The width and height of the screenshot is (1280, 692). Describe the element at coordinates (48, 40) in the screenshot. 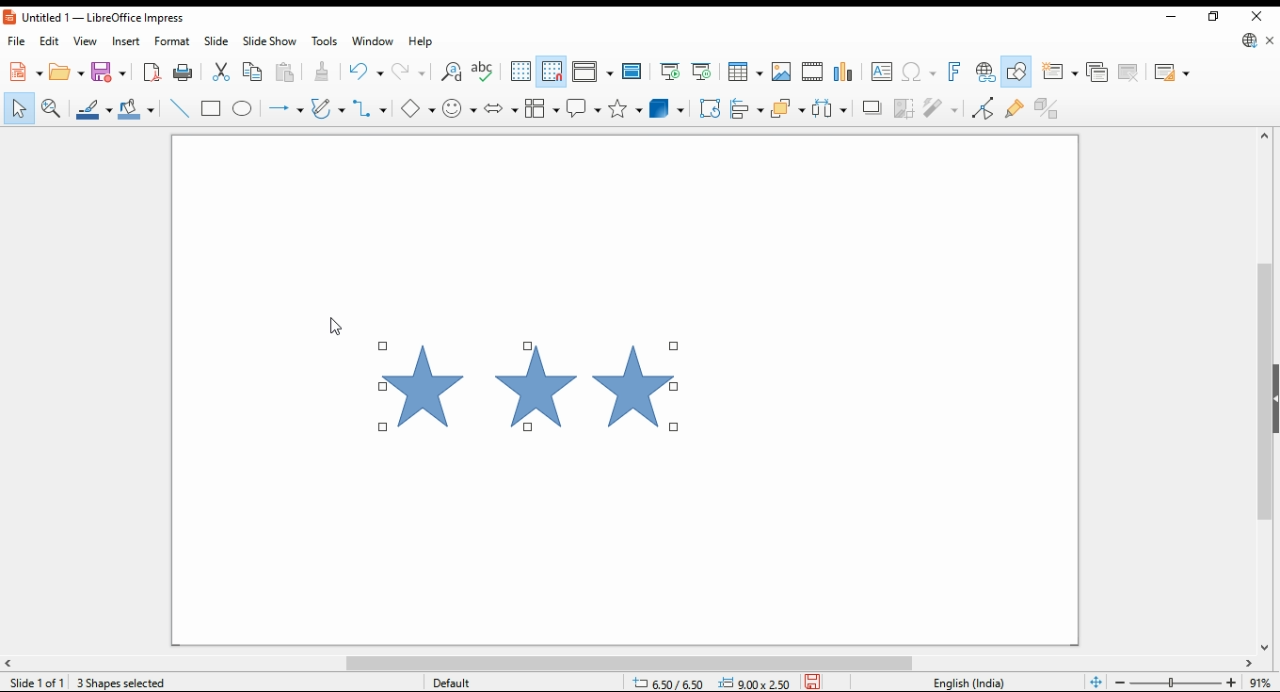

I see `edit` at that location.